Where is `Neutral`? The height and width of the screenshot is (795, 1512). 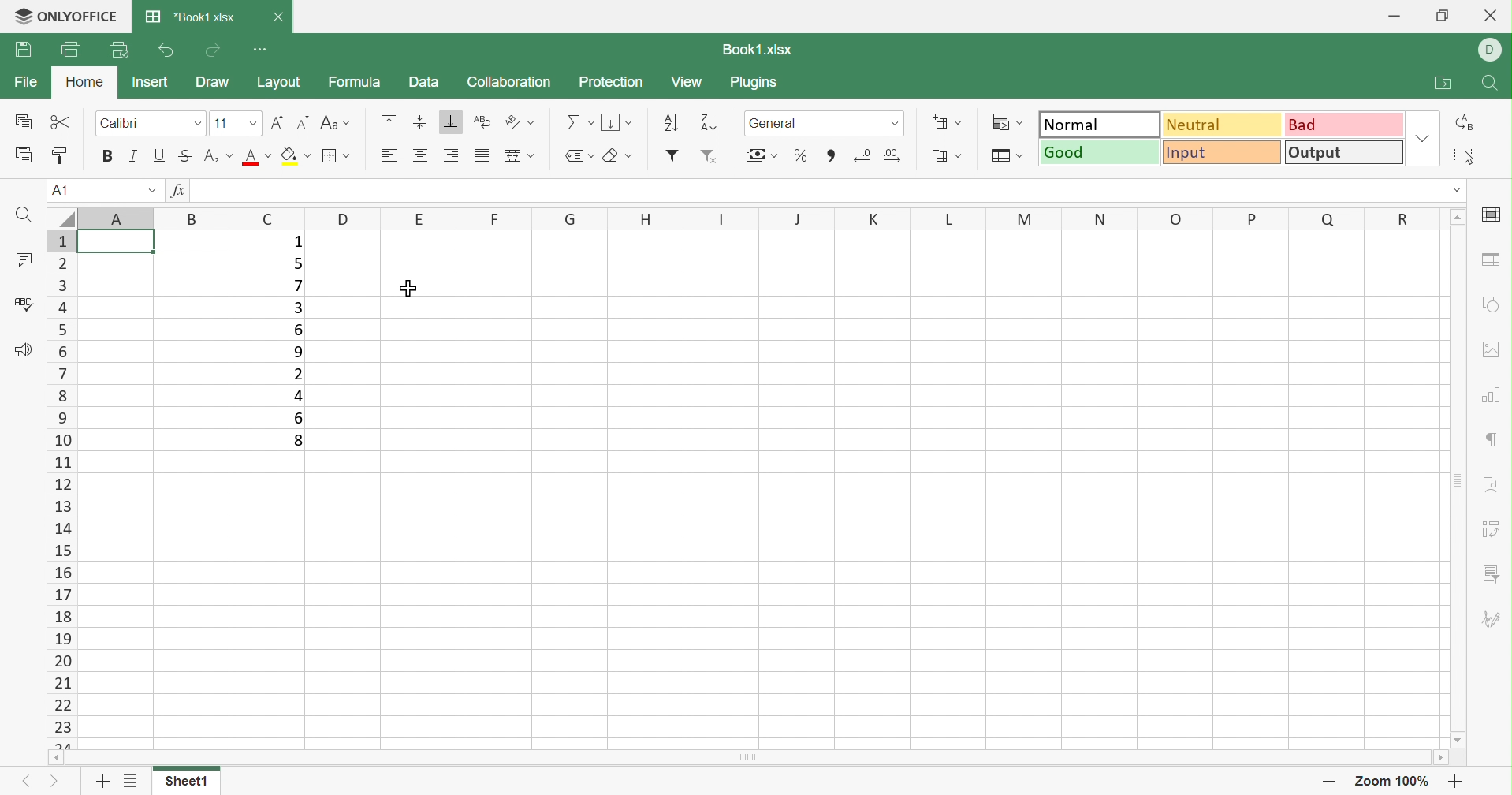
Neutral is located at coordinates (1221, 126).